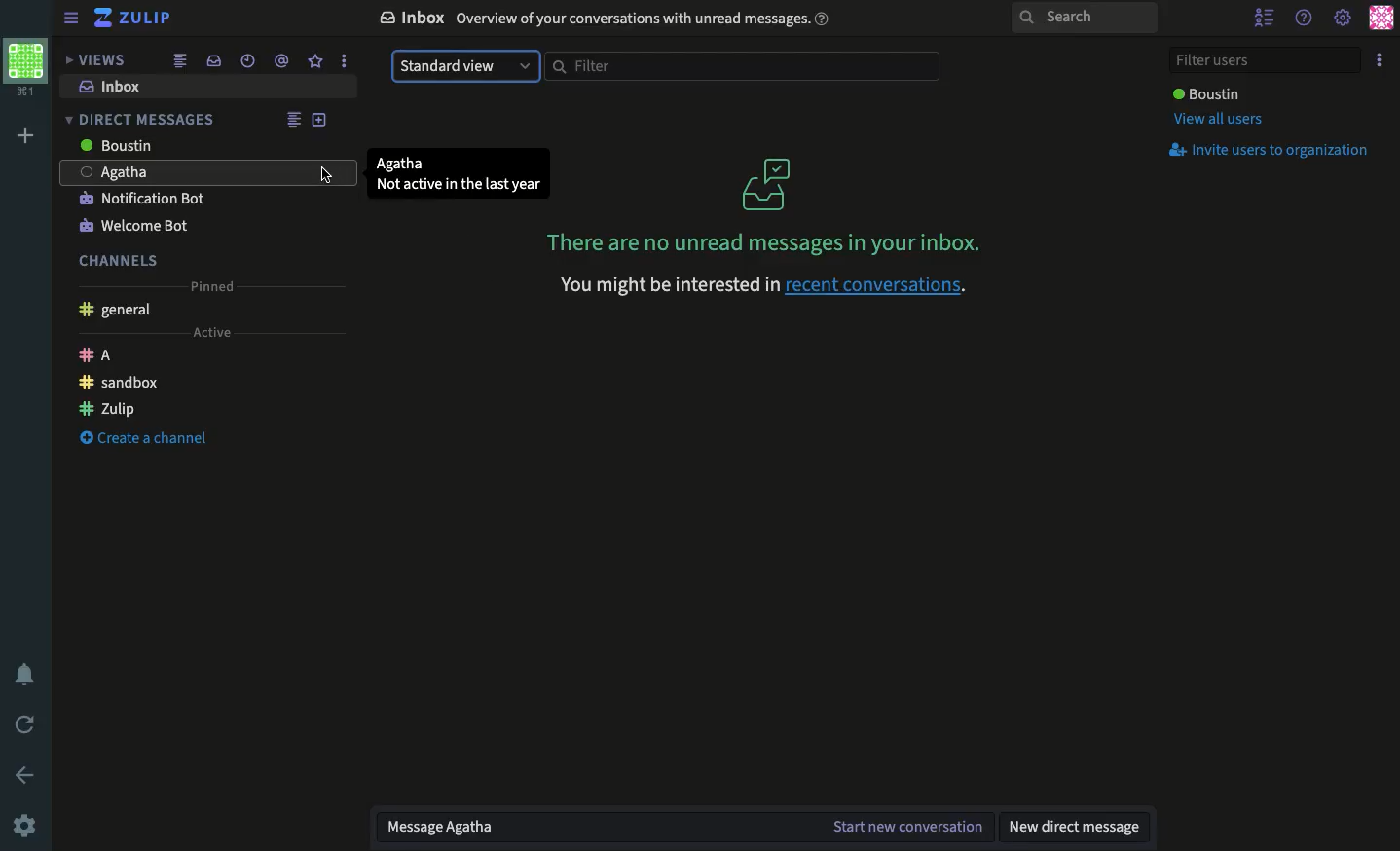  Describe the element at coordinates (213, 59) in the screenshot. I see `Inbox` at that location.